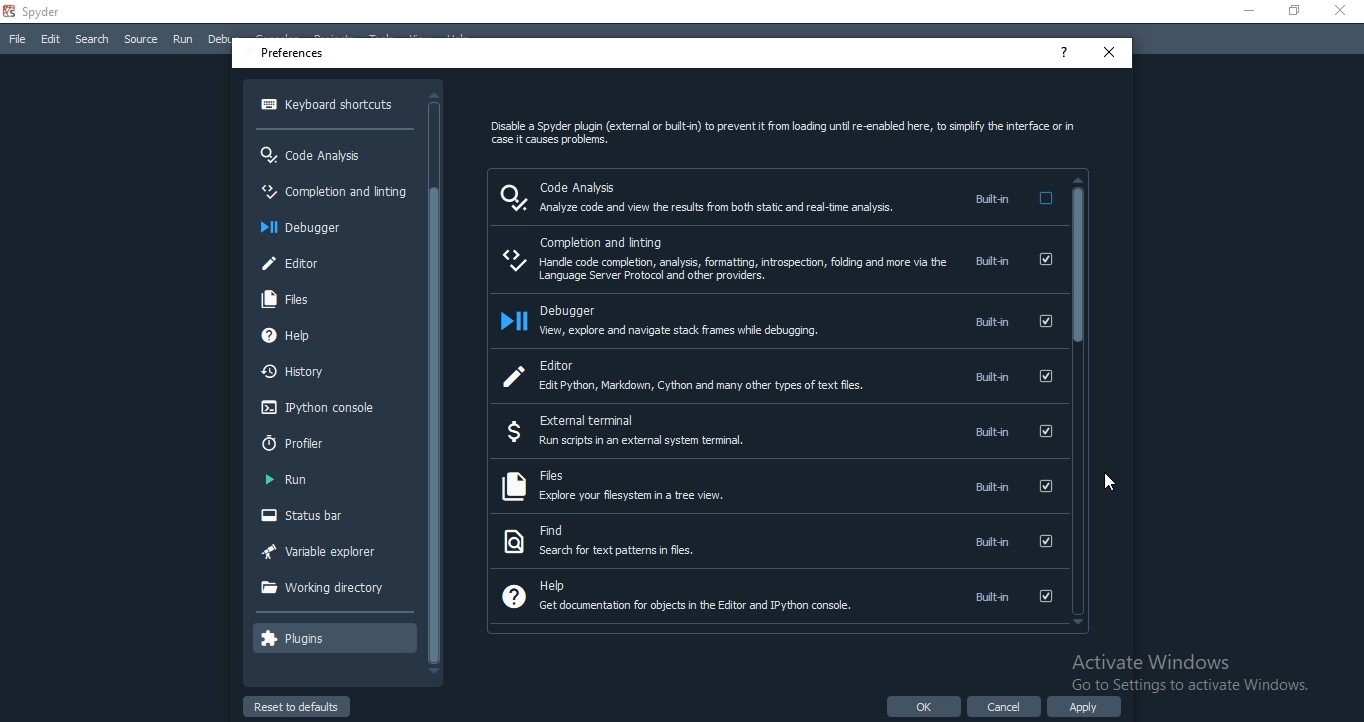 The height and width of the screenshot is (722, 1364). I want to click on spyder, so click(36, 11).